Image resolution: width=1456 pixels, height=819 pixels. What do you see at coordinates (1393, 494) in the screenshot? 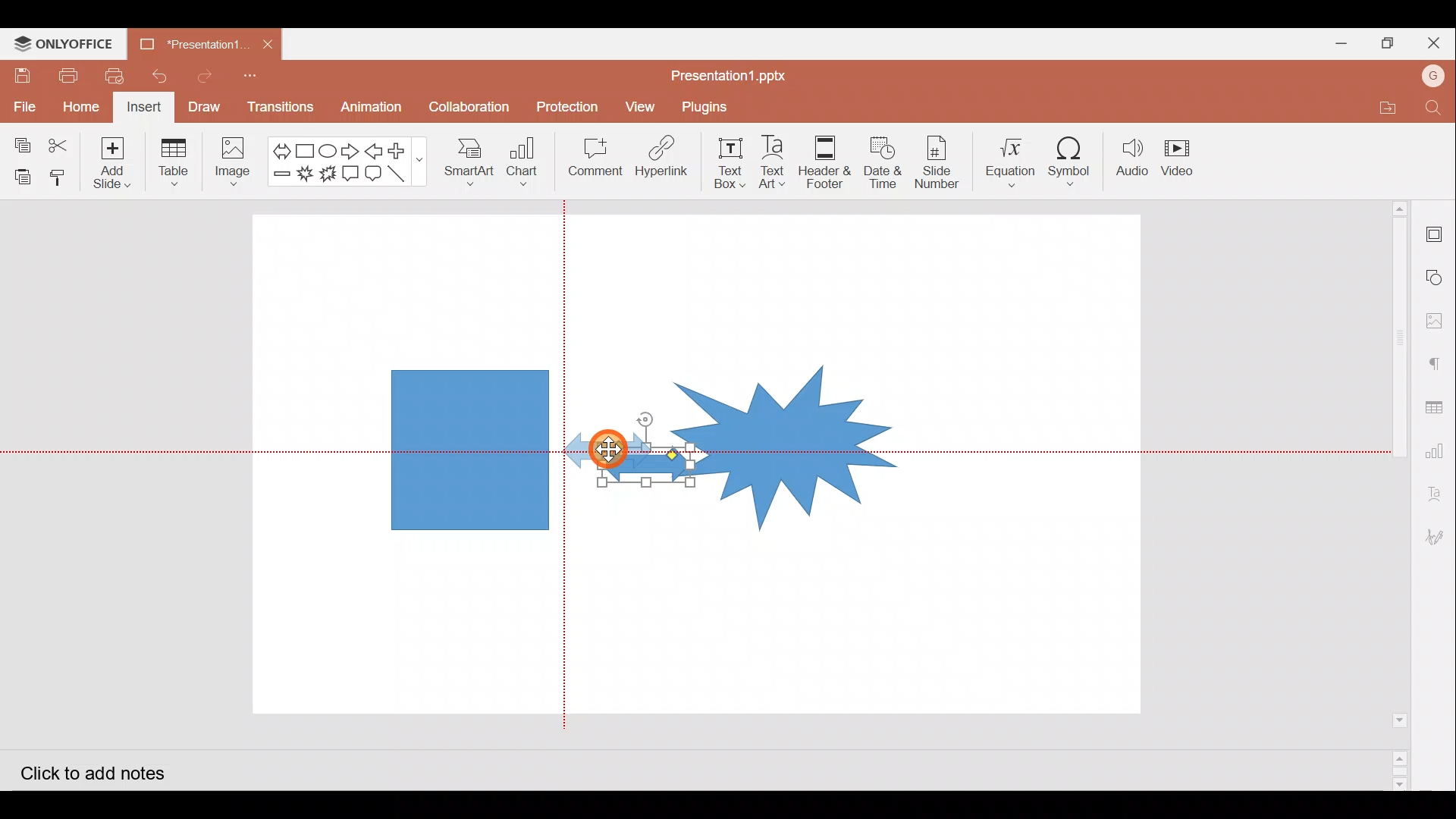
I see `Scroll bar` at bounding box center [1393, 494].